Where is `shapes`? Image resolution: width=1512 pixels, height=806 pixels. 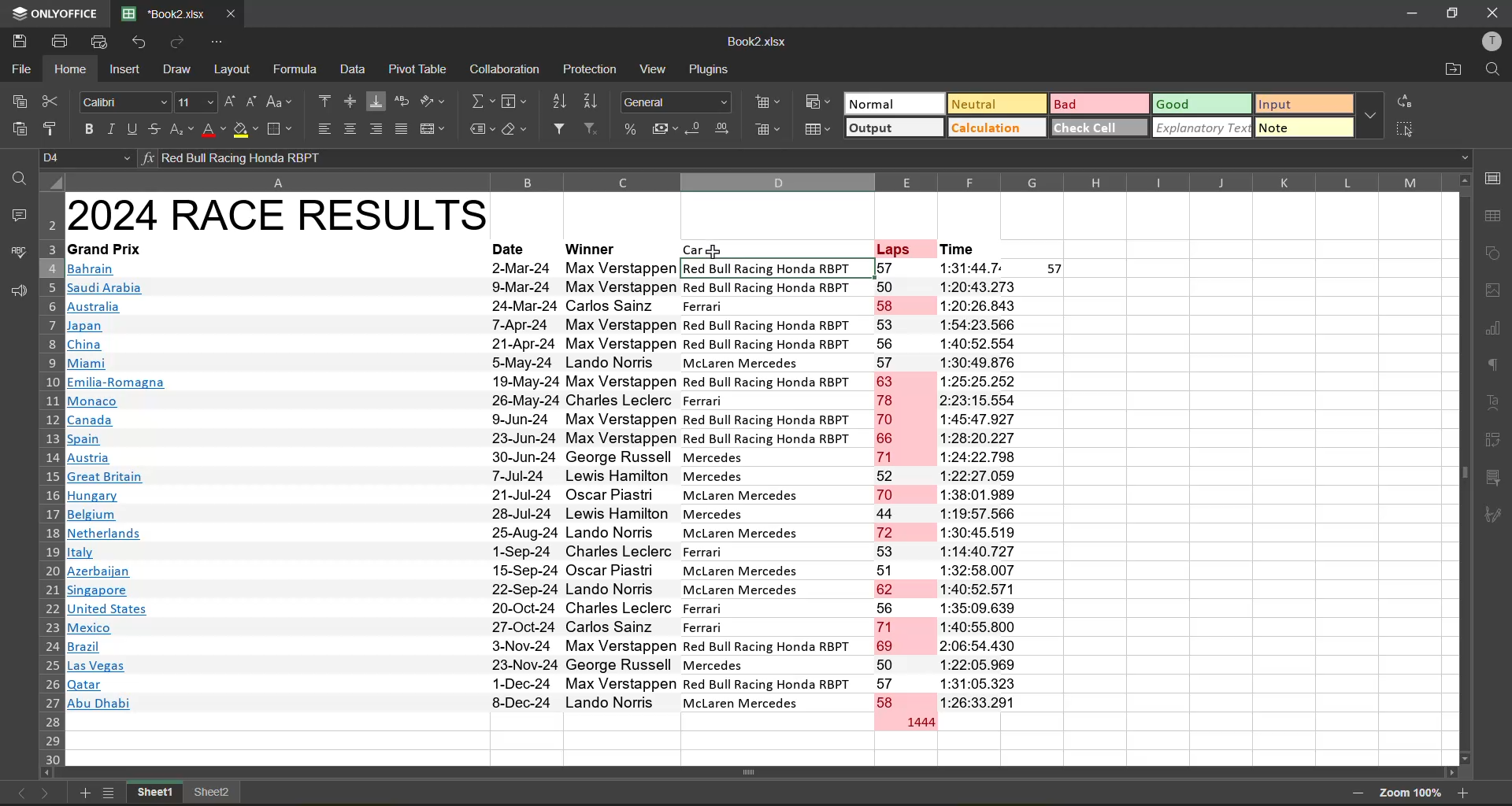
shapes is located at coordinates (1495, 250).